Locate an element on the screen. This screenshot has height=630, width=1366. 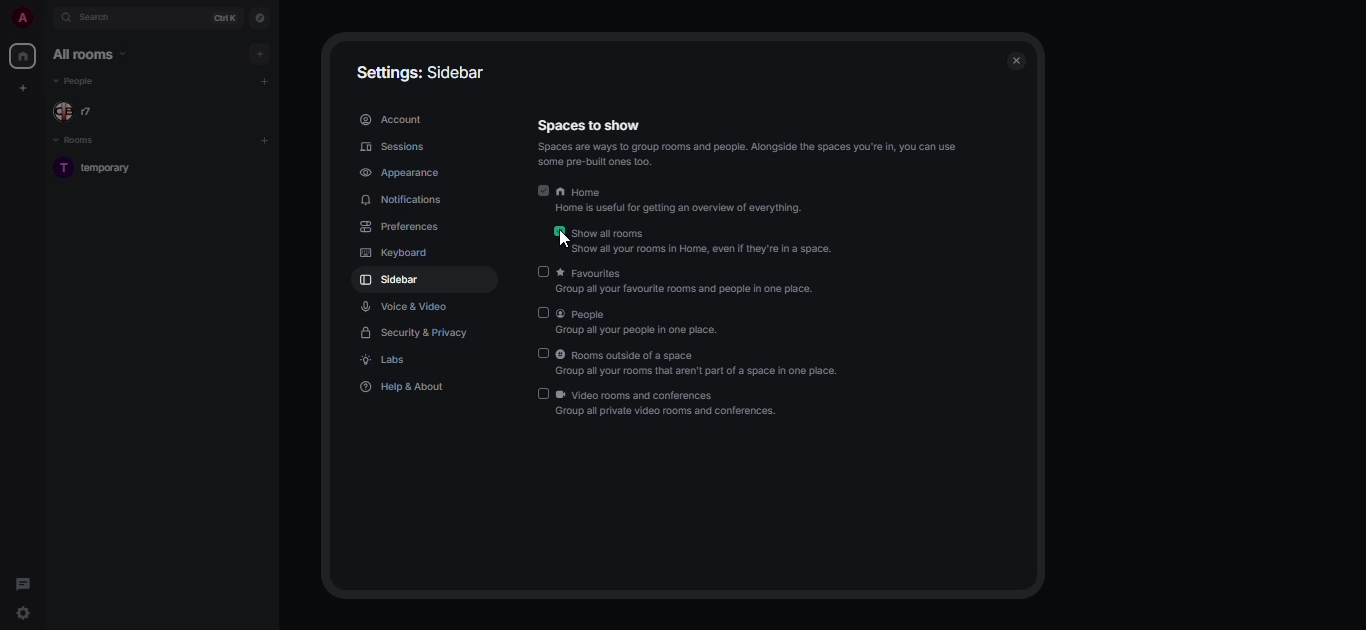
labs is located at coordinates (386, 362).